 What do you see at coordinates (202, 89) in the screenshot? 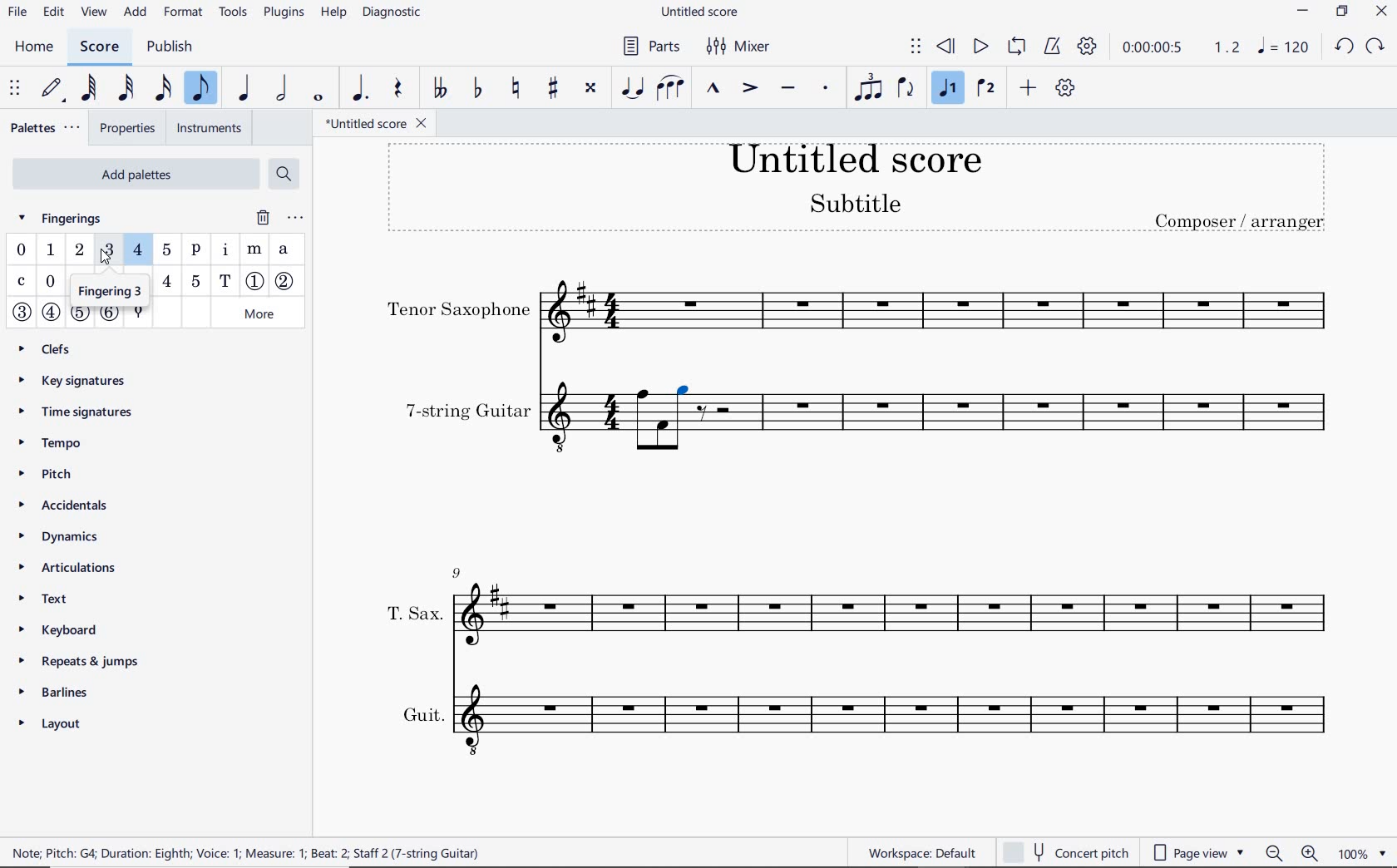
I see `EIGHTH NOTE` at bounding box center [202, 89].